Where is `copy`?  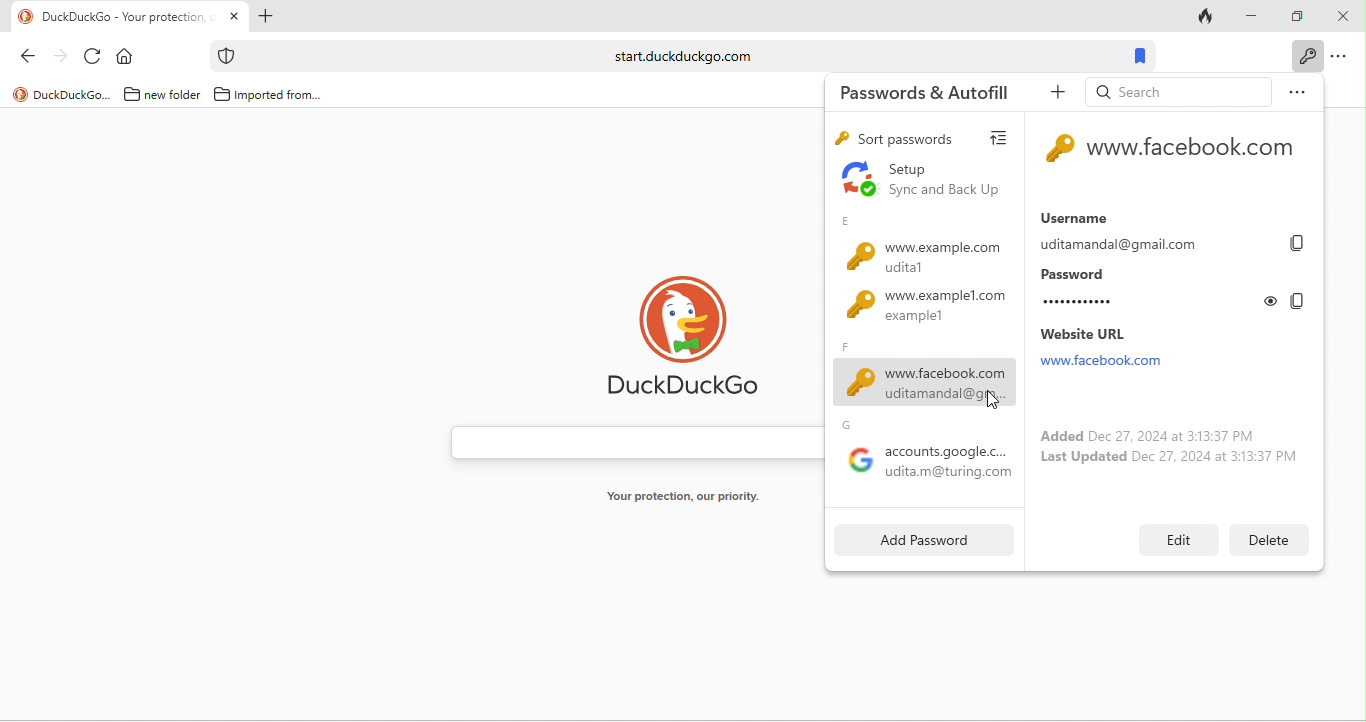 copy is located at coordinates (1301, 244).